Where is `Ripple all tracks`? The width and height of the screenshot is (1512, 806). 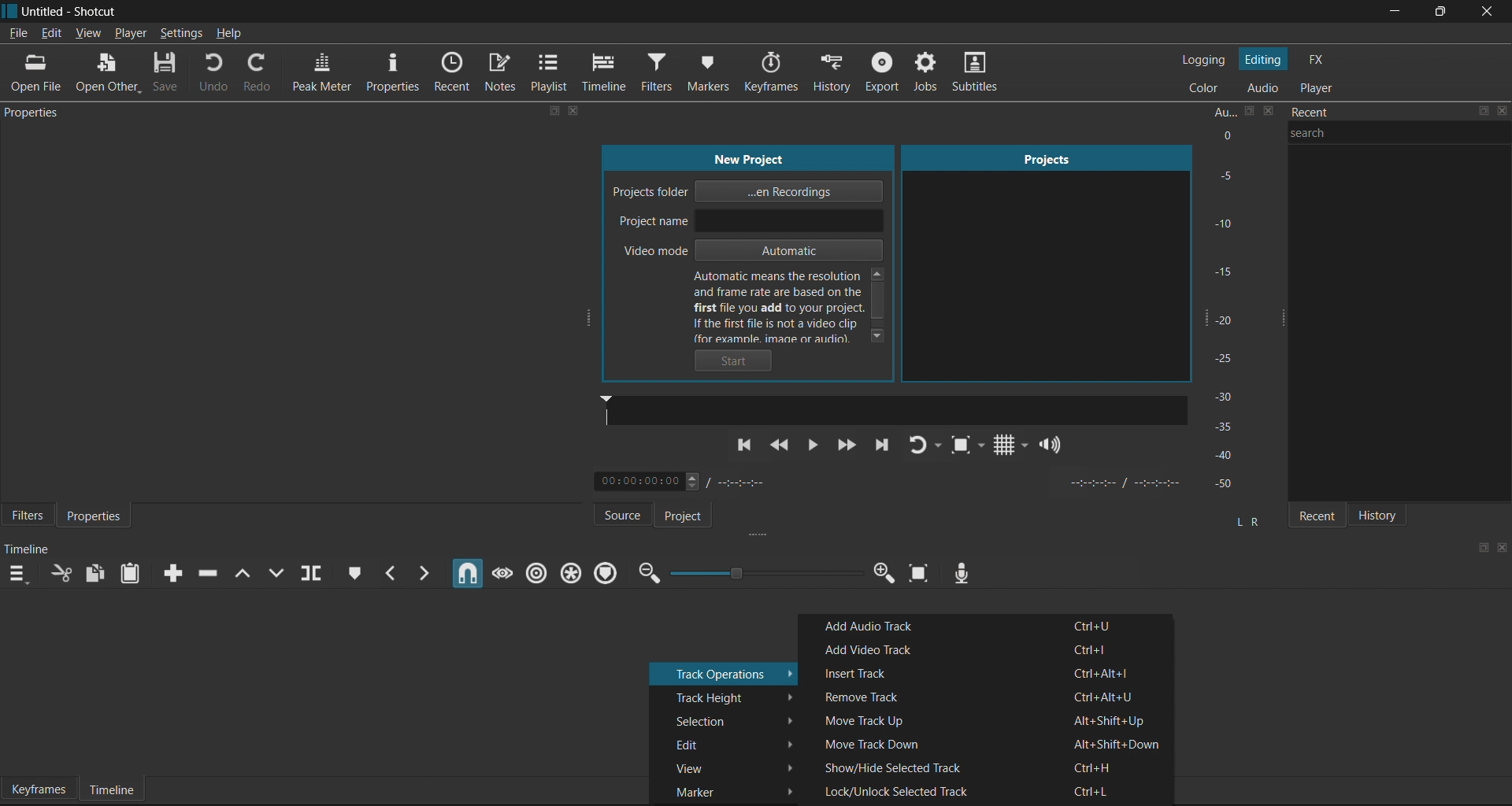 Ripple all tracks is located at coordinates (570, 571).